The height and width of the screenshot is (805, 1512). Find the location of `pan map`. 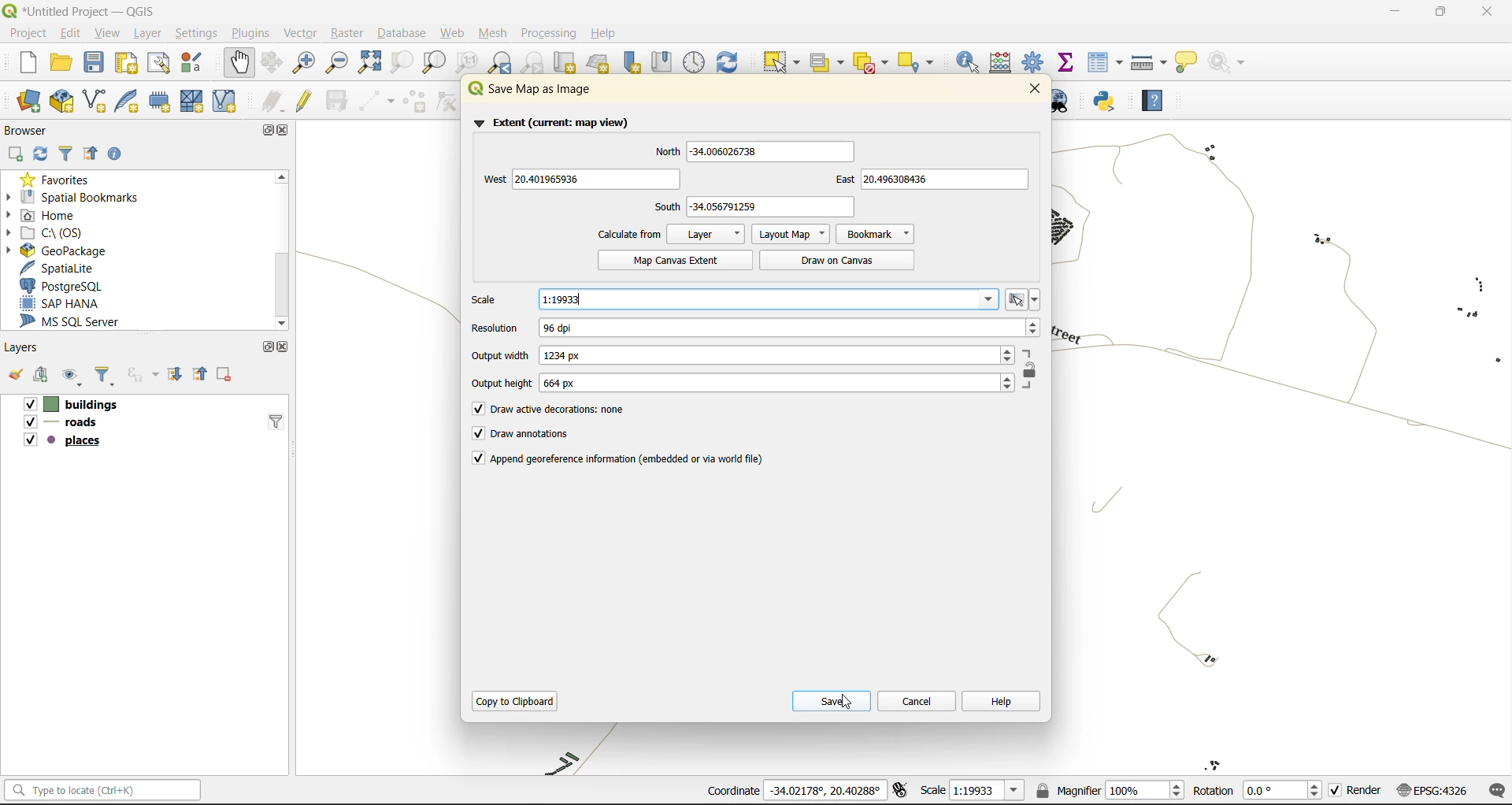

pan map is located at coordinates (240, 63).